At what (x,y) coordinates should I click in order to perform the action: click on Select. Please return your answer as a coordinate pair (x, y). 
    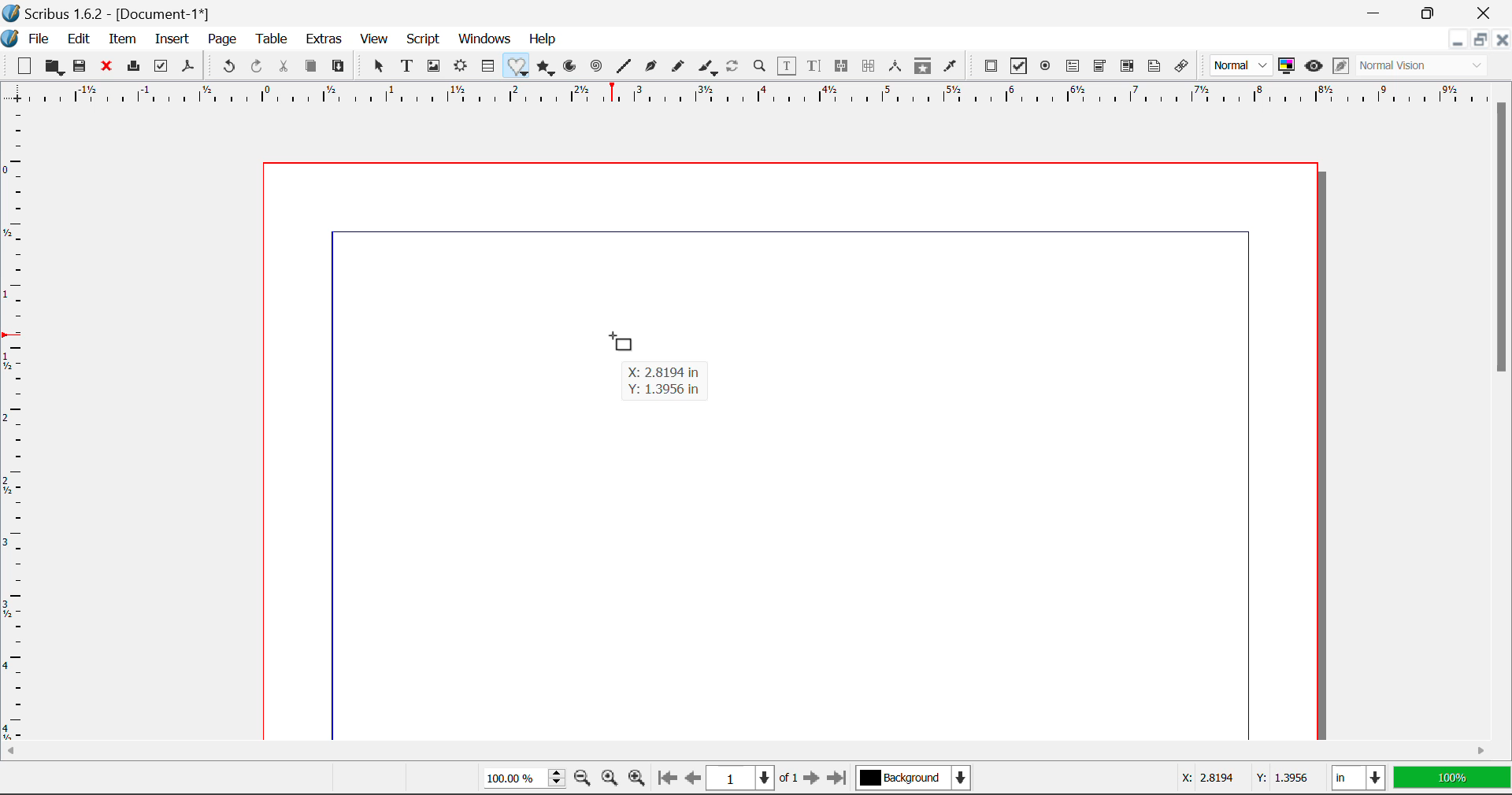
    Looking at the image, I should click on (379, 66).